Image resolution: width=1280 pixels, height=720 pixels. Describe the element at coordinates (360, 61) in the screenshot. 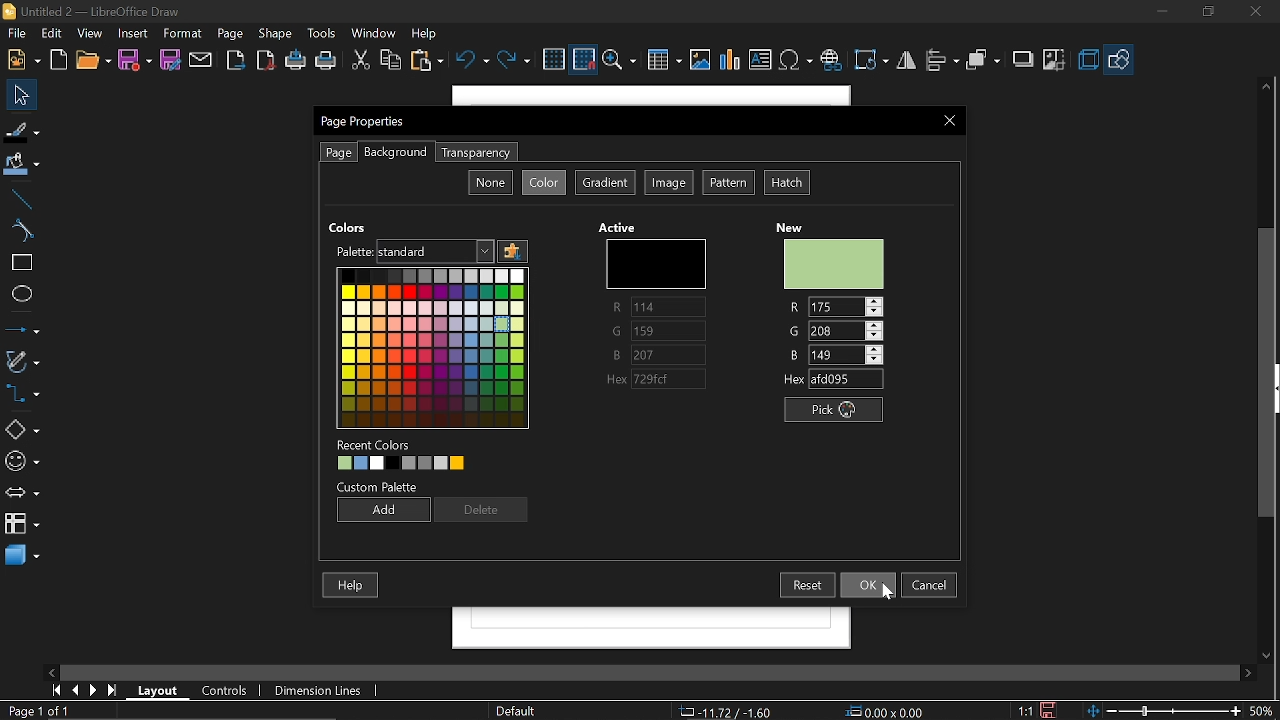

I see `Cut ` at that location.